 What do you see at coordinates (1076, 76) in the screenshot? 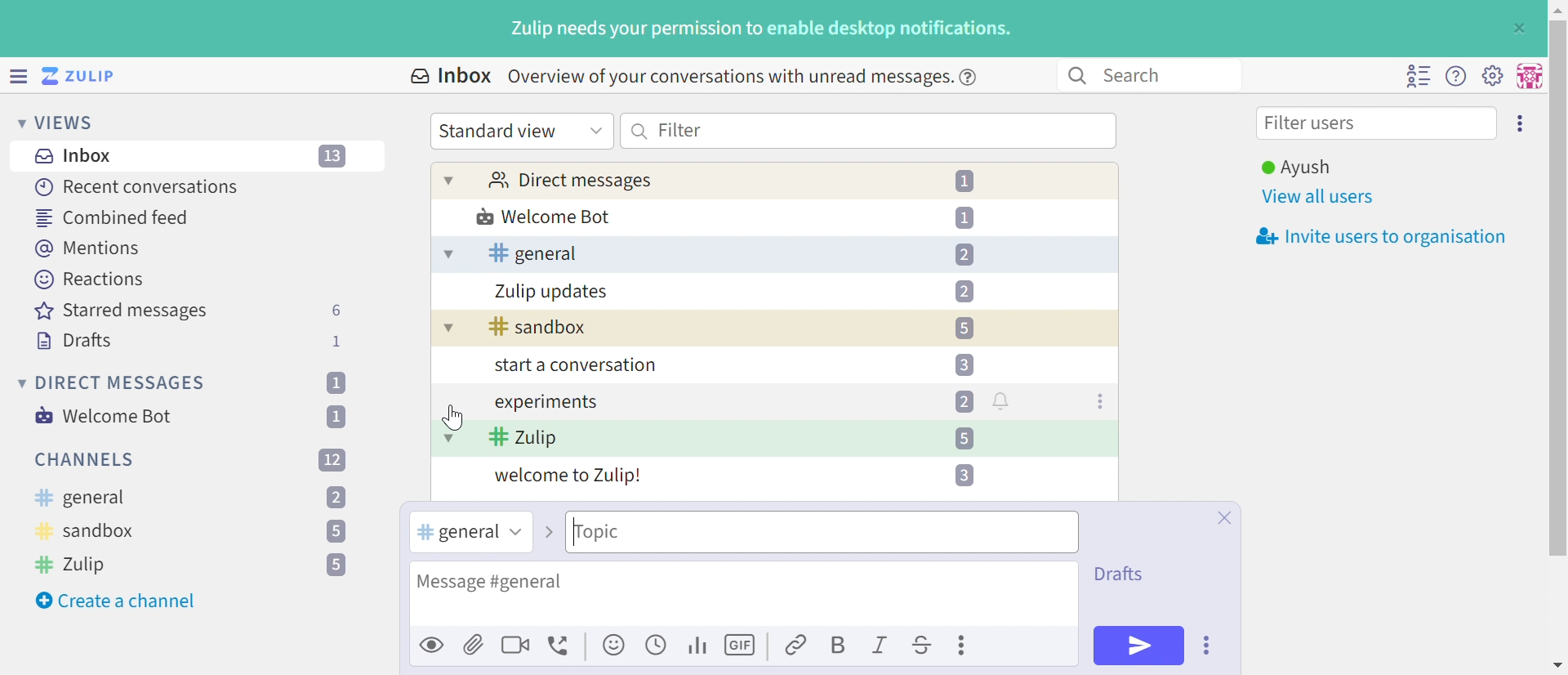
I see `Search` at bounding box center [1076, 76].